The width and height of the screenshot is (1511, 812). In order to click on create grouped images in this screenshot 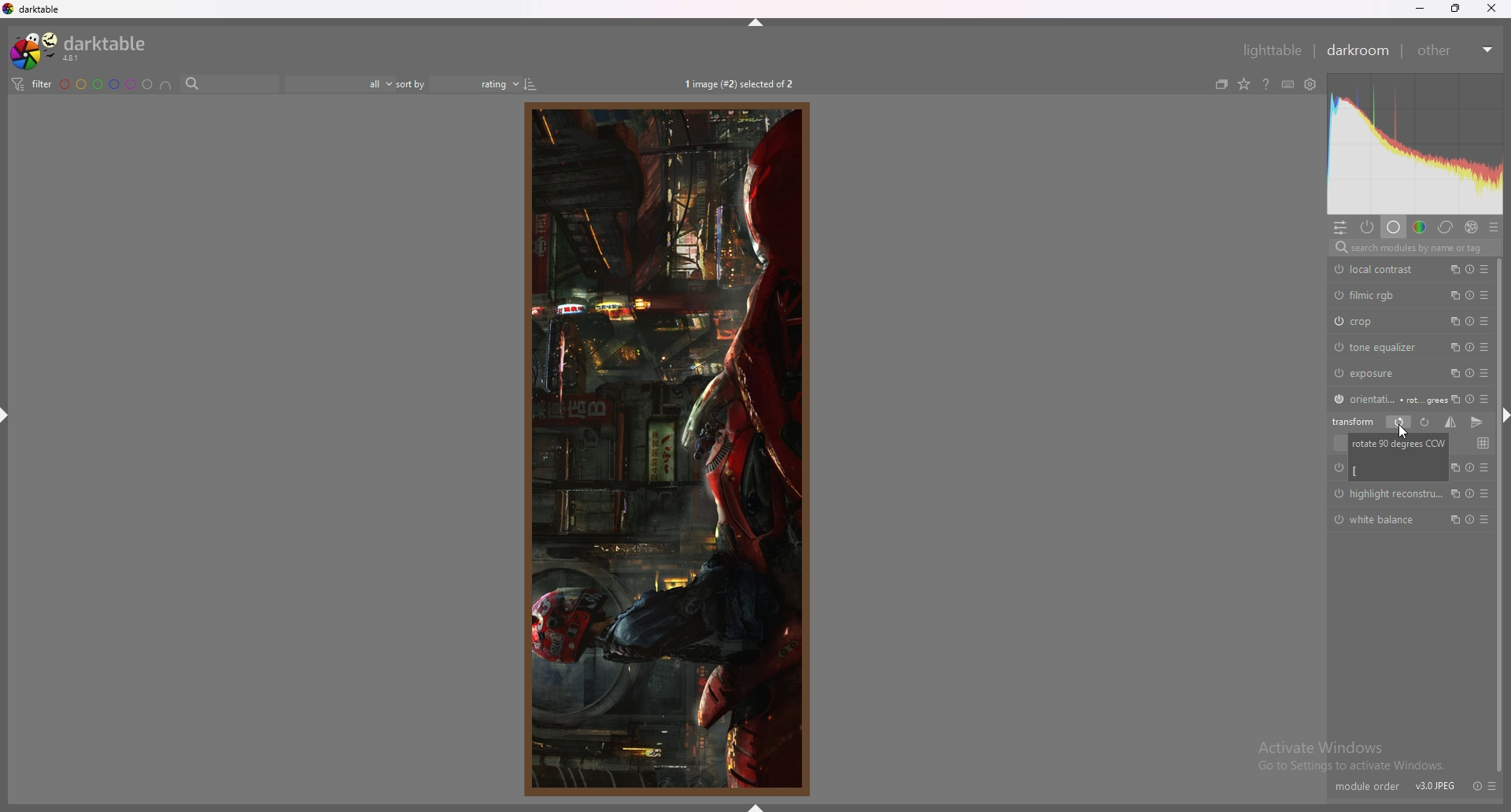, I will do `click(1223, 83)`.